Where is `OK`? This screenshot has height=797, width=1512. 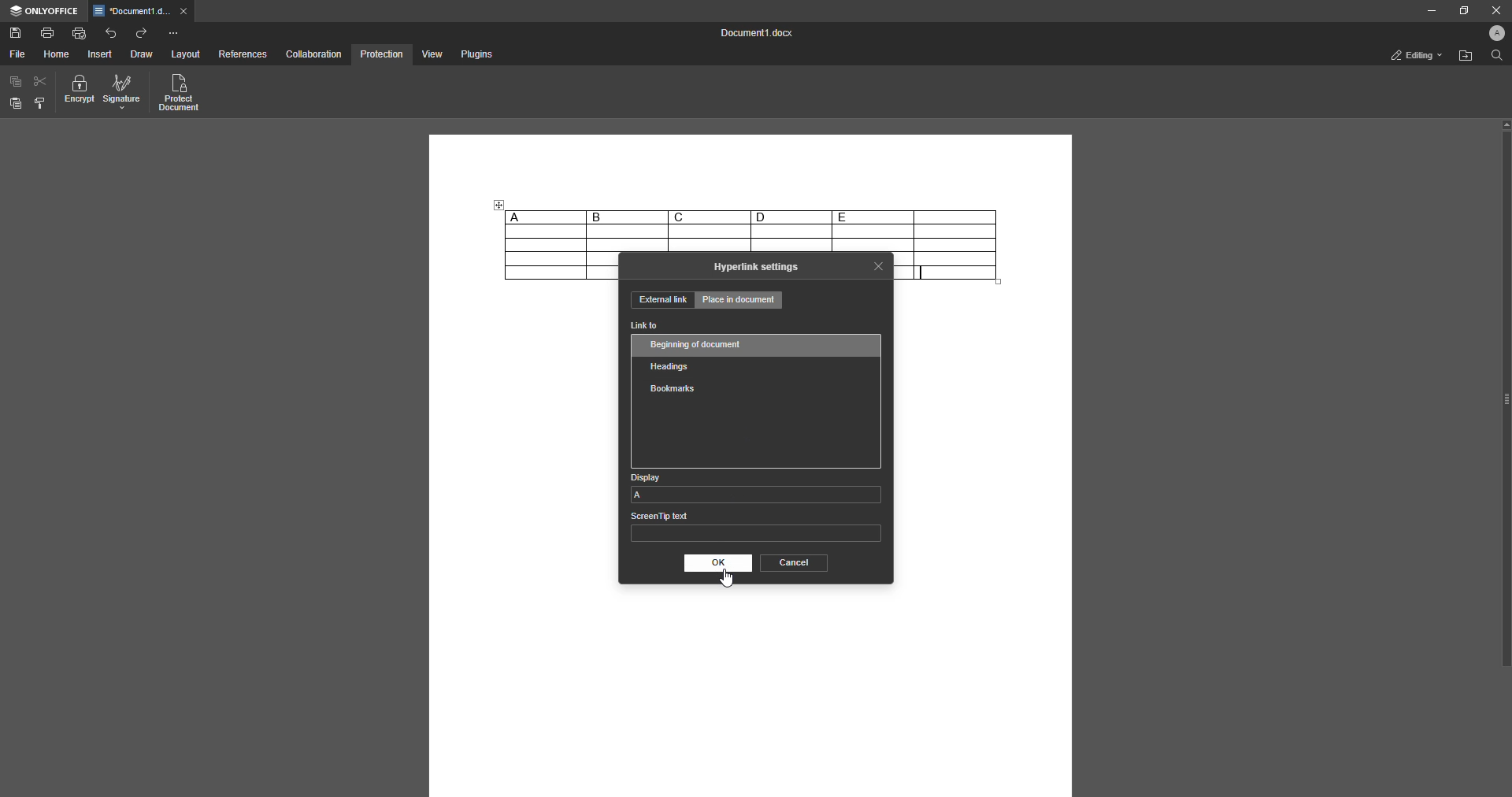 OK is located at coordinates (716, 563).